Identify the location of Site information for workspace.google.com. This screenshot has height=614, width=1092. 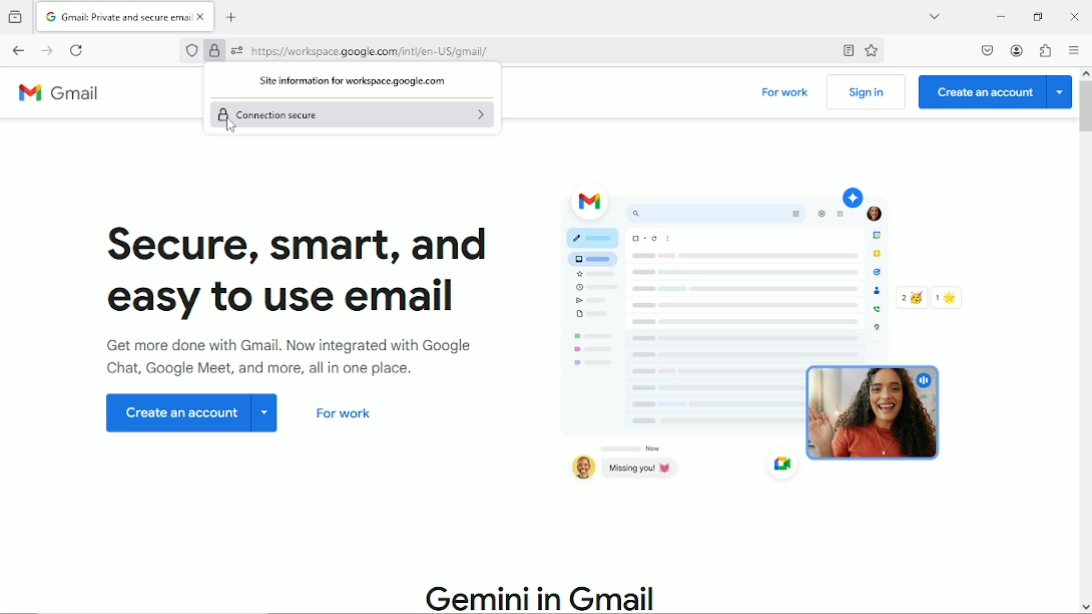
(355, 81).